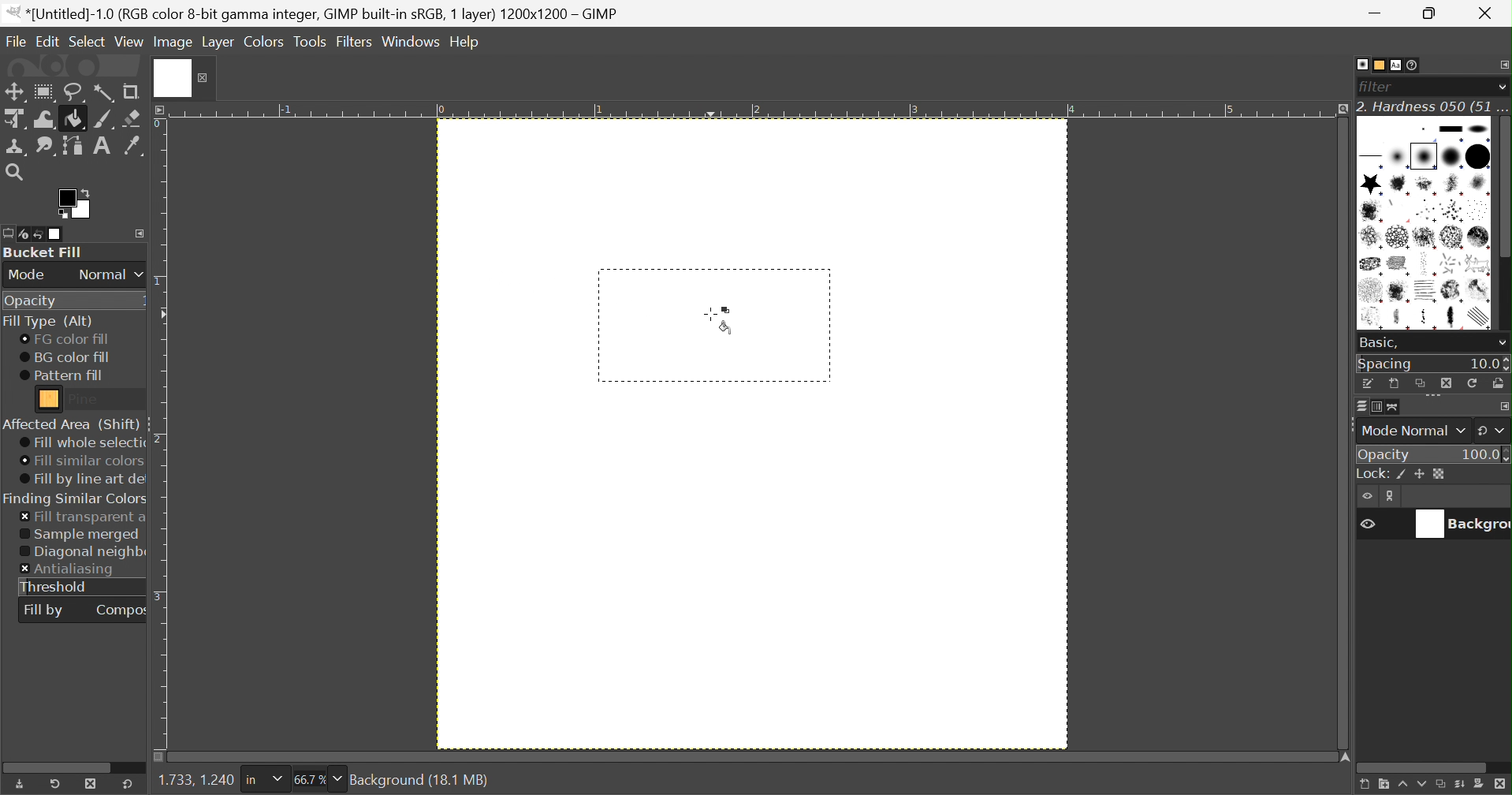 The width and height of the screenshot is (1512, 795). Describe the element at coordinates (1502, 785) in the screenshot. I see `Delete this layer` at that location.